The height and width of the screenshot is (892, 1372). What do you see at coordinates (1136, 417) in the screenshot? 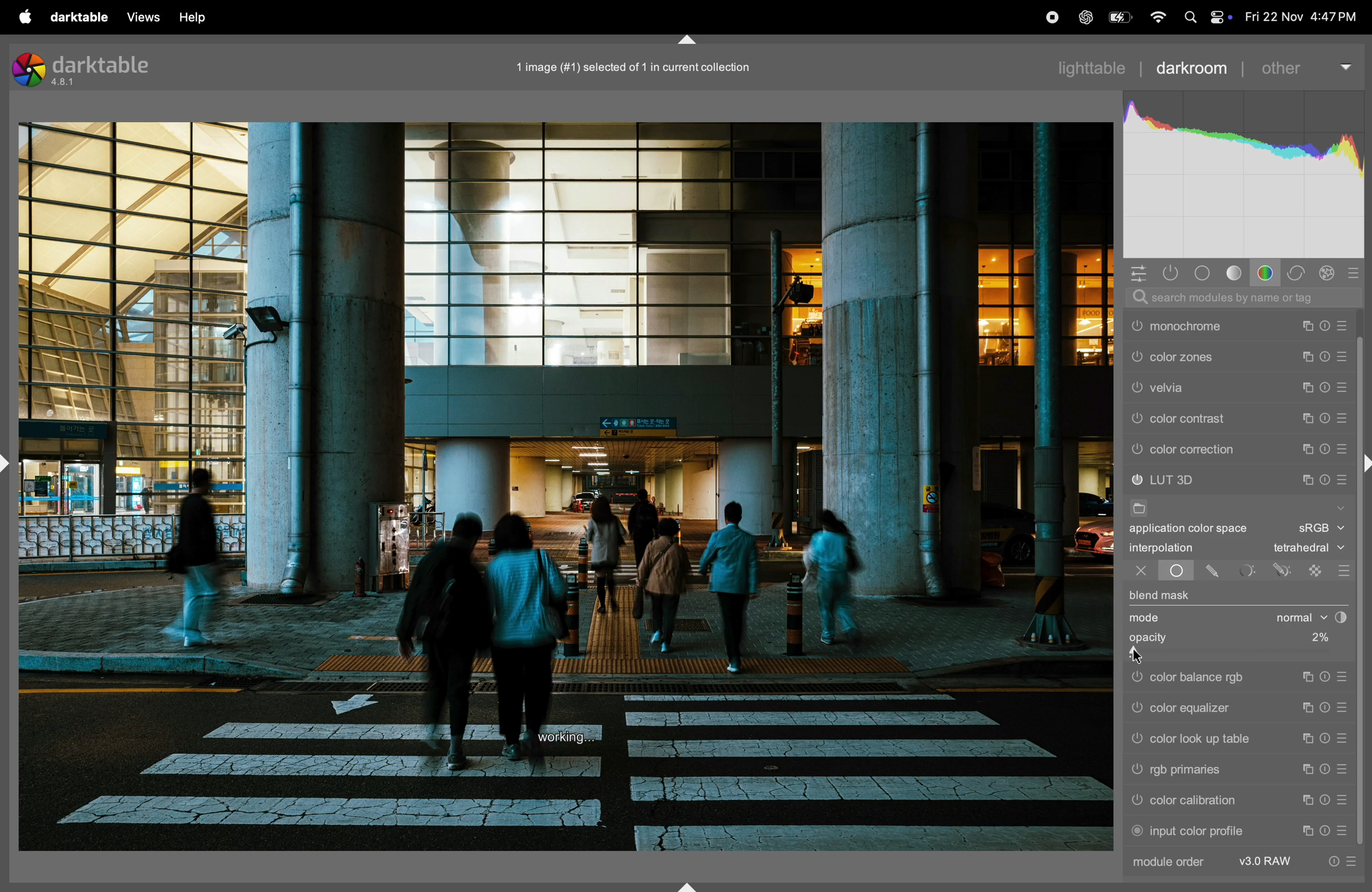
I see `velvia switched off` at bounding box center [1136, 417].